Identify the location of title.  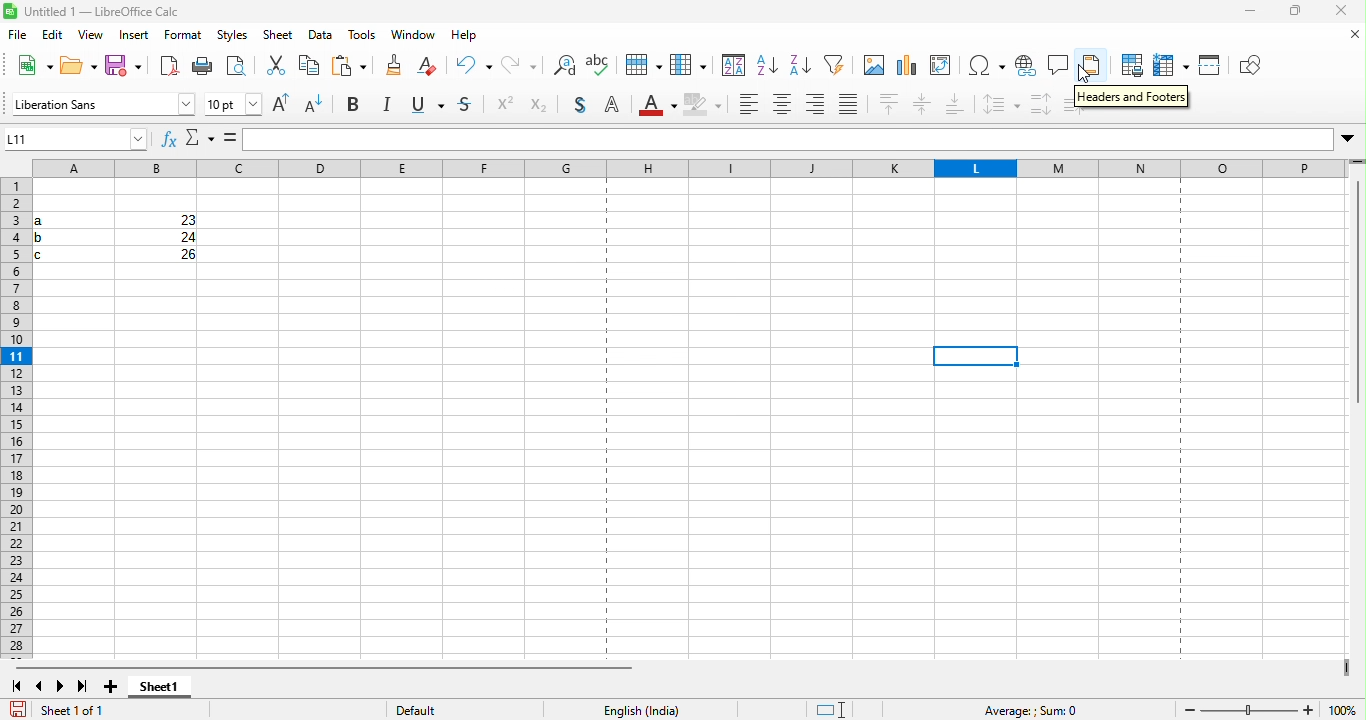
(108, 13).